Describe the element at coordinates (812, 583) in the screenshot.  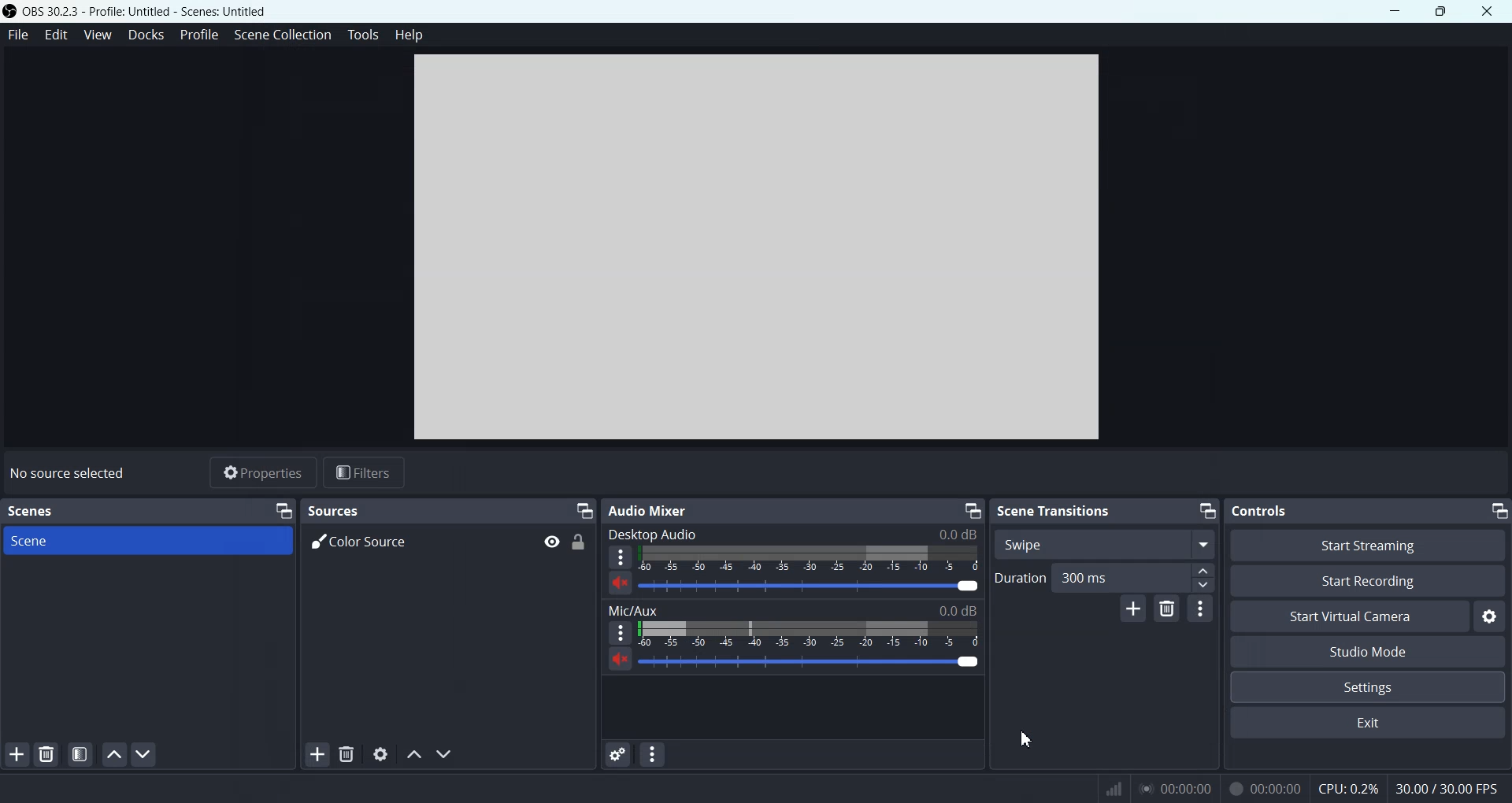
I see `Volume Adjuster` at that location.